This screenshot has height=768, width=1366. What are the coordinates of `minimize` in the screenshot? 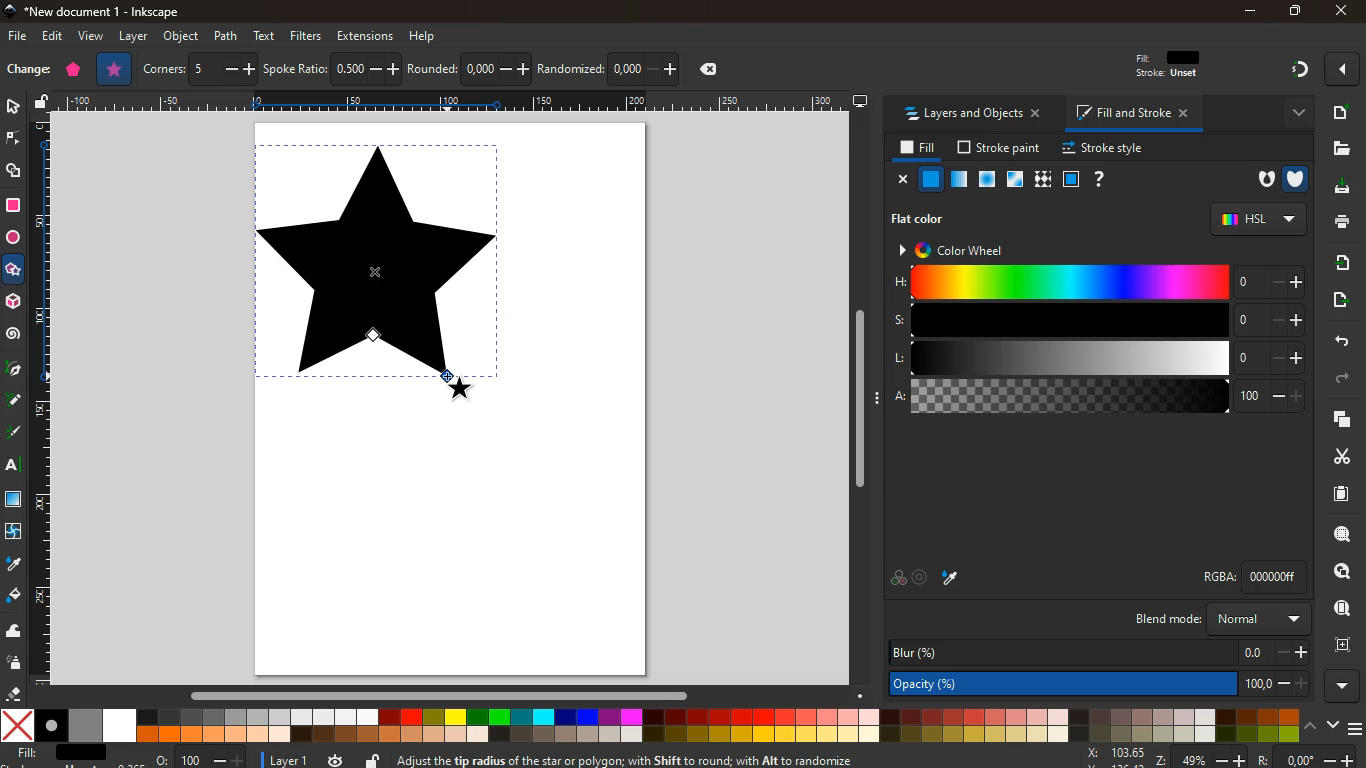 It's located at (1251, 12).